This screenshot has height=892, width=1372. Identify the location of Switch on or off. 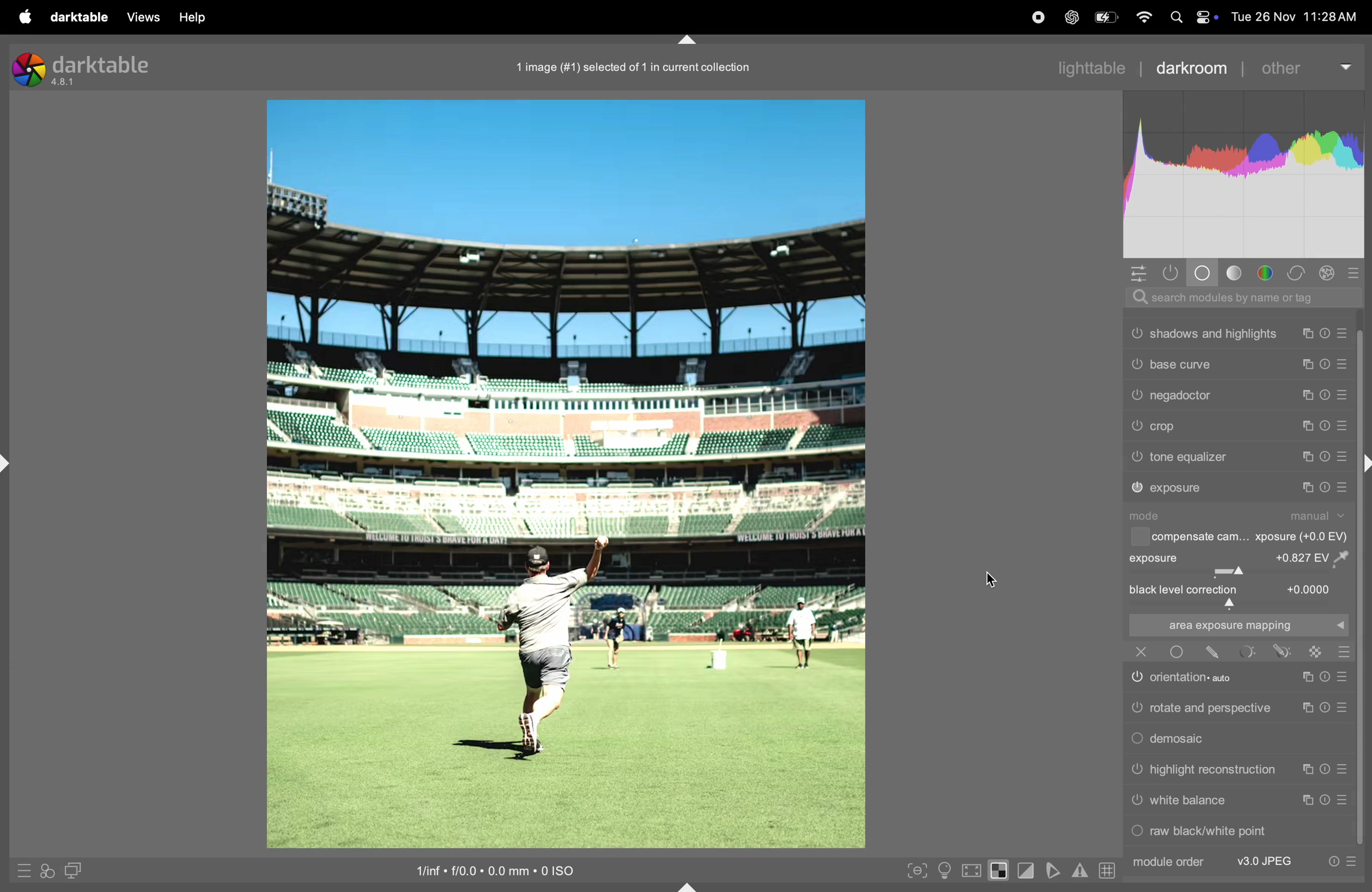
(1136, 803).